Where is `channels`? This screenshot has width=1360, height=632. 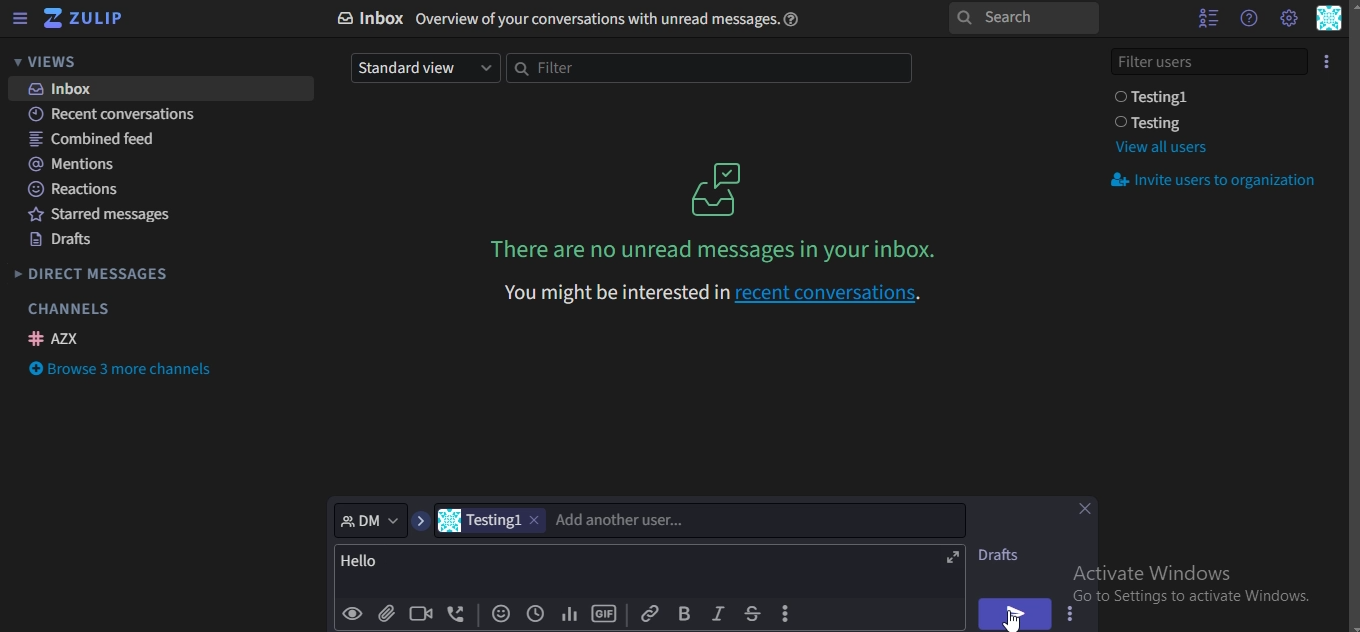
channels is located at coordinates (68, 309).